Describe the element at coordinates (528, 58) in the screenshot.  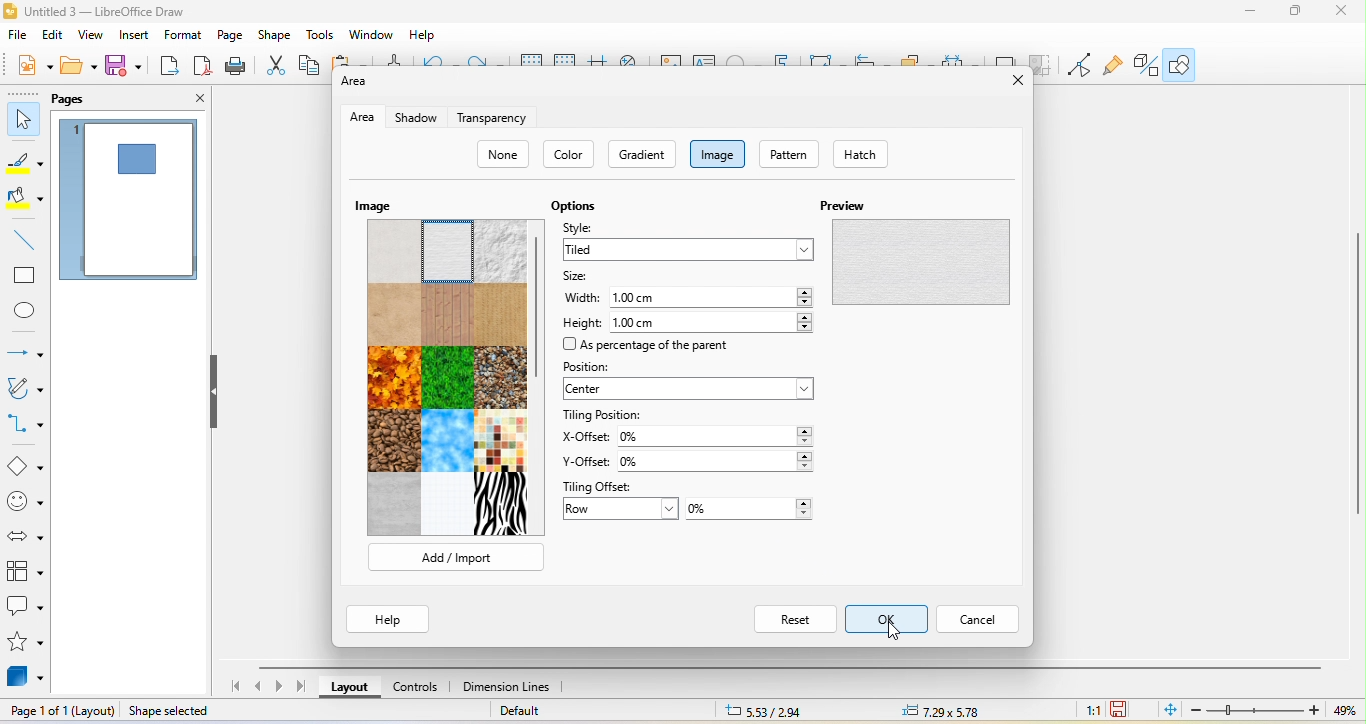
I see `display grid` at that location.